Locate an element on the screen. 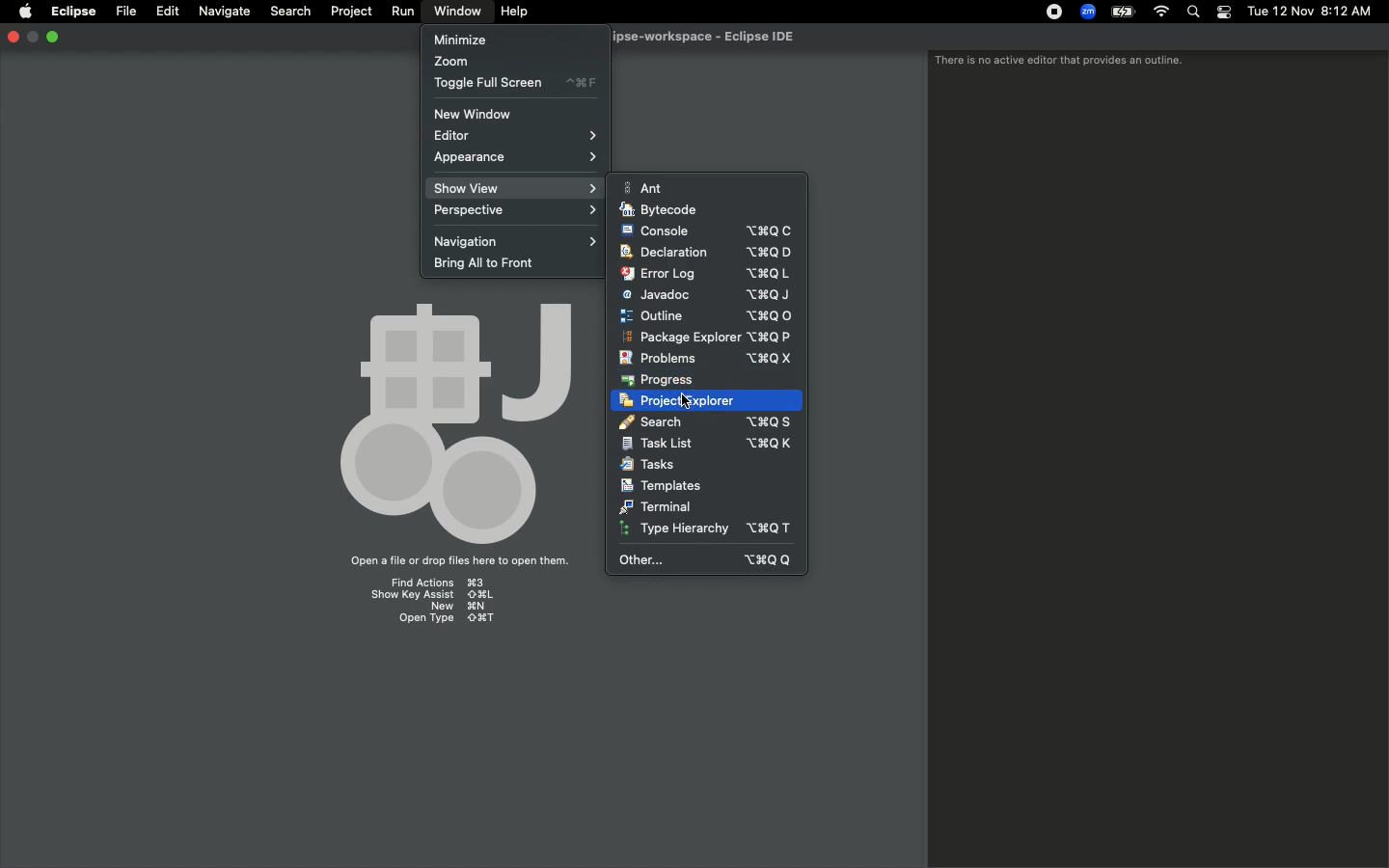 This screenshot has width=1389, height=868. Edit is located at coordinates (165, 10).